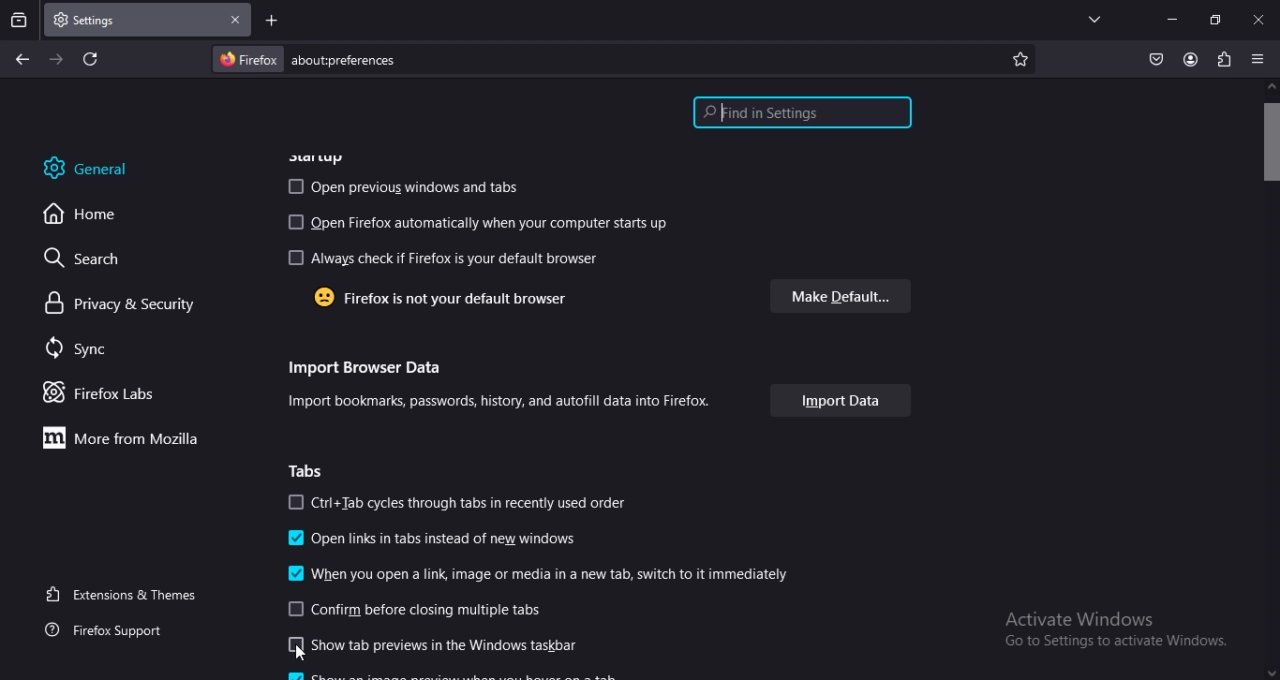 The height and width of the screenshot is (680, 1280). I want to click on minmize, so click(1170, 18).